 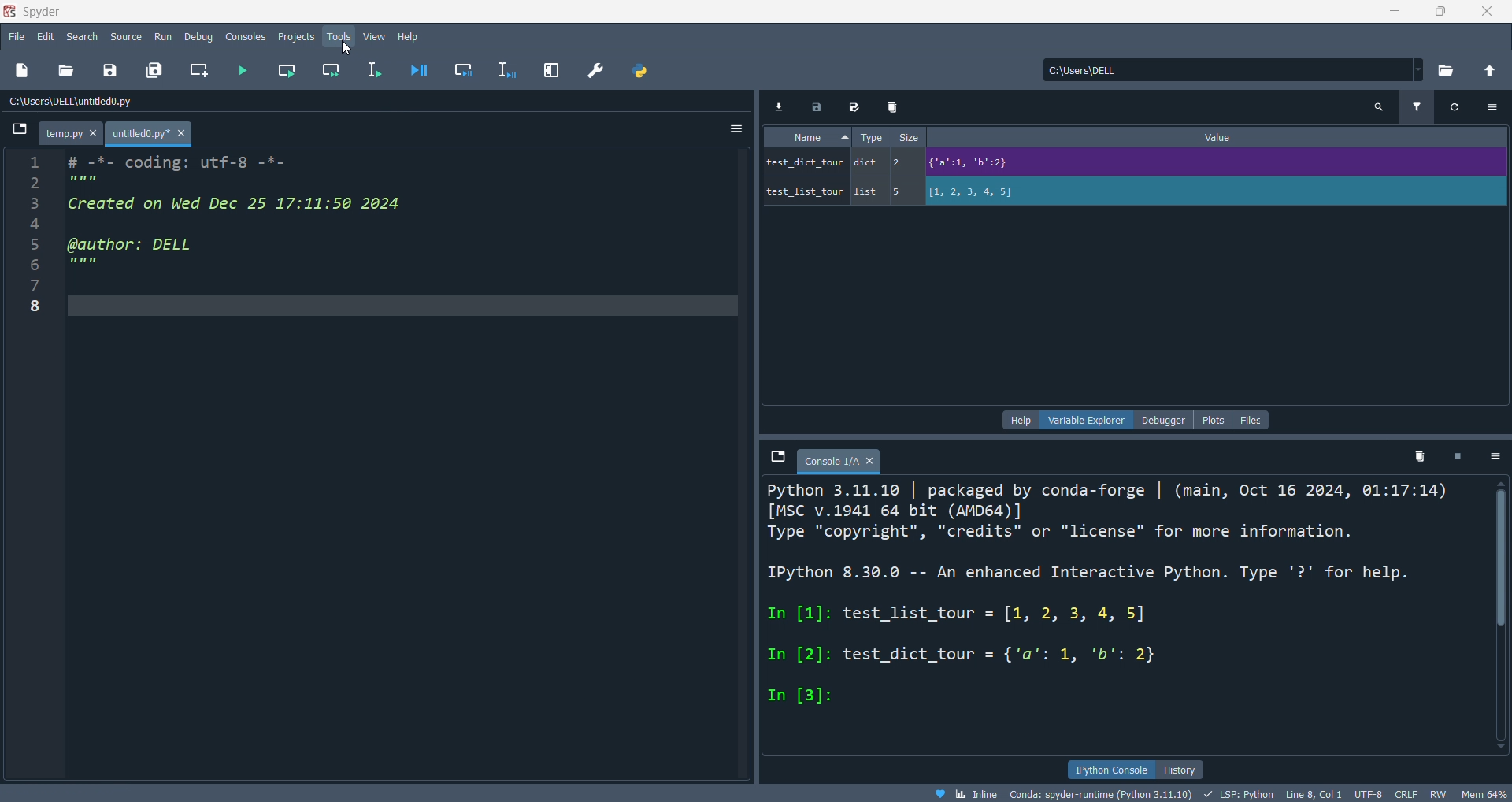 What do you see at coordinates (1458, 110) in the screenshot?
I see `refresh` at bounding box center [1458, 110].